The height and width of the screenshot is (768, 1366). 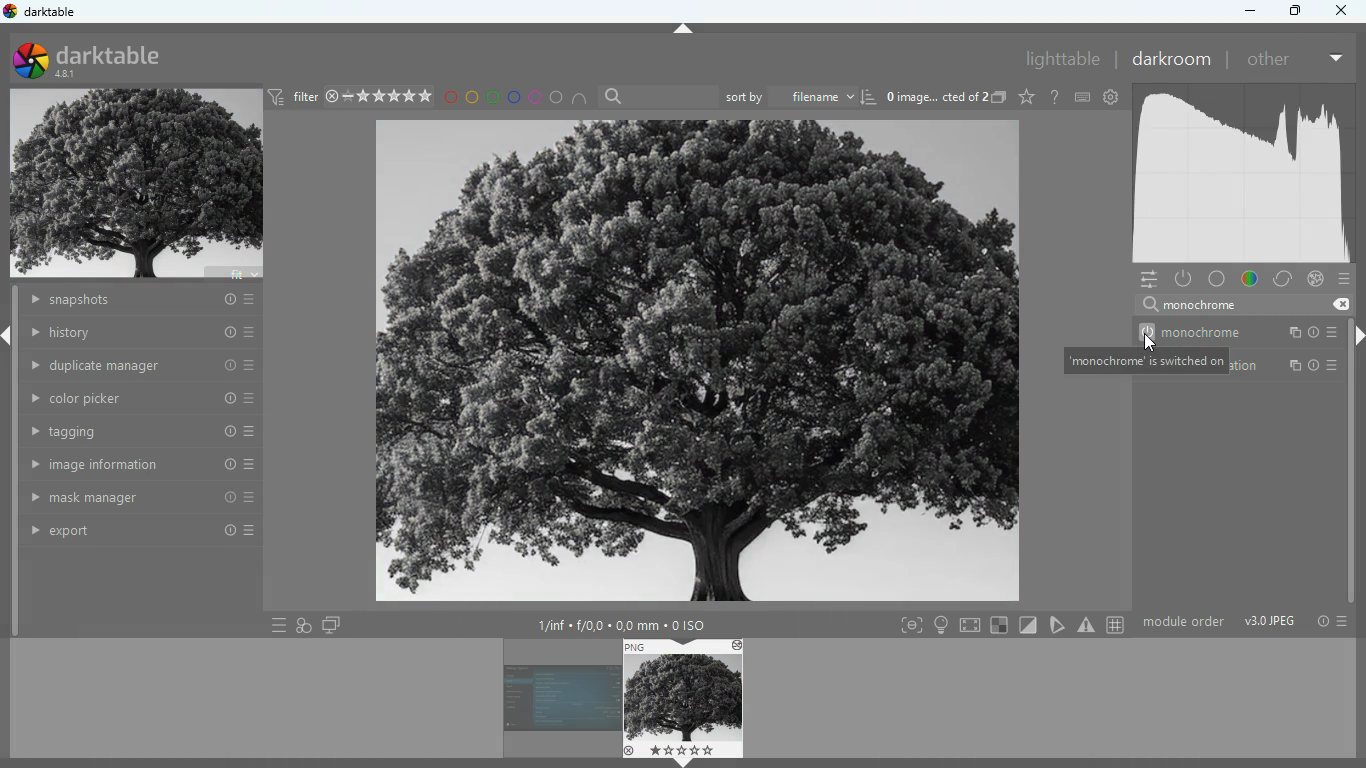 I want to click on image information, so click(x=143, y=465).